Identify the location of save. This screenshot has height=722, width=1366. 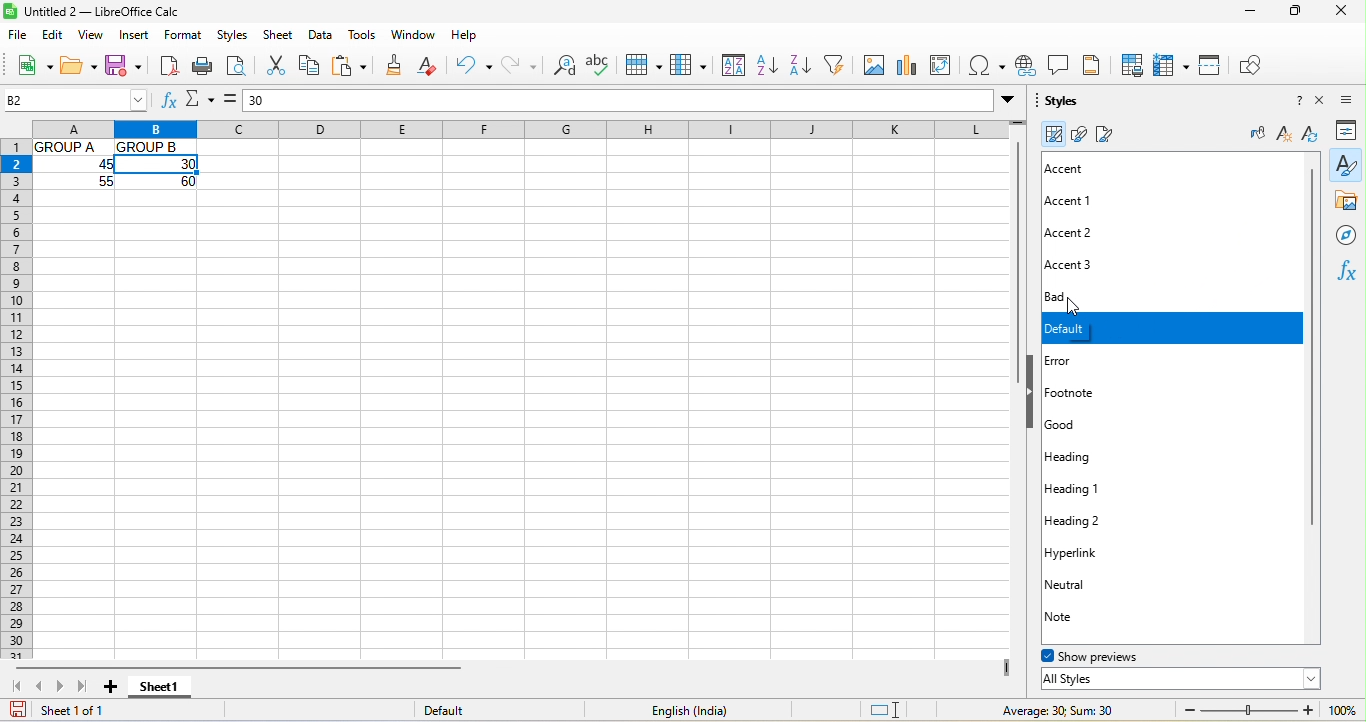
(124, 65).